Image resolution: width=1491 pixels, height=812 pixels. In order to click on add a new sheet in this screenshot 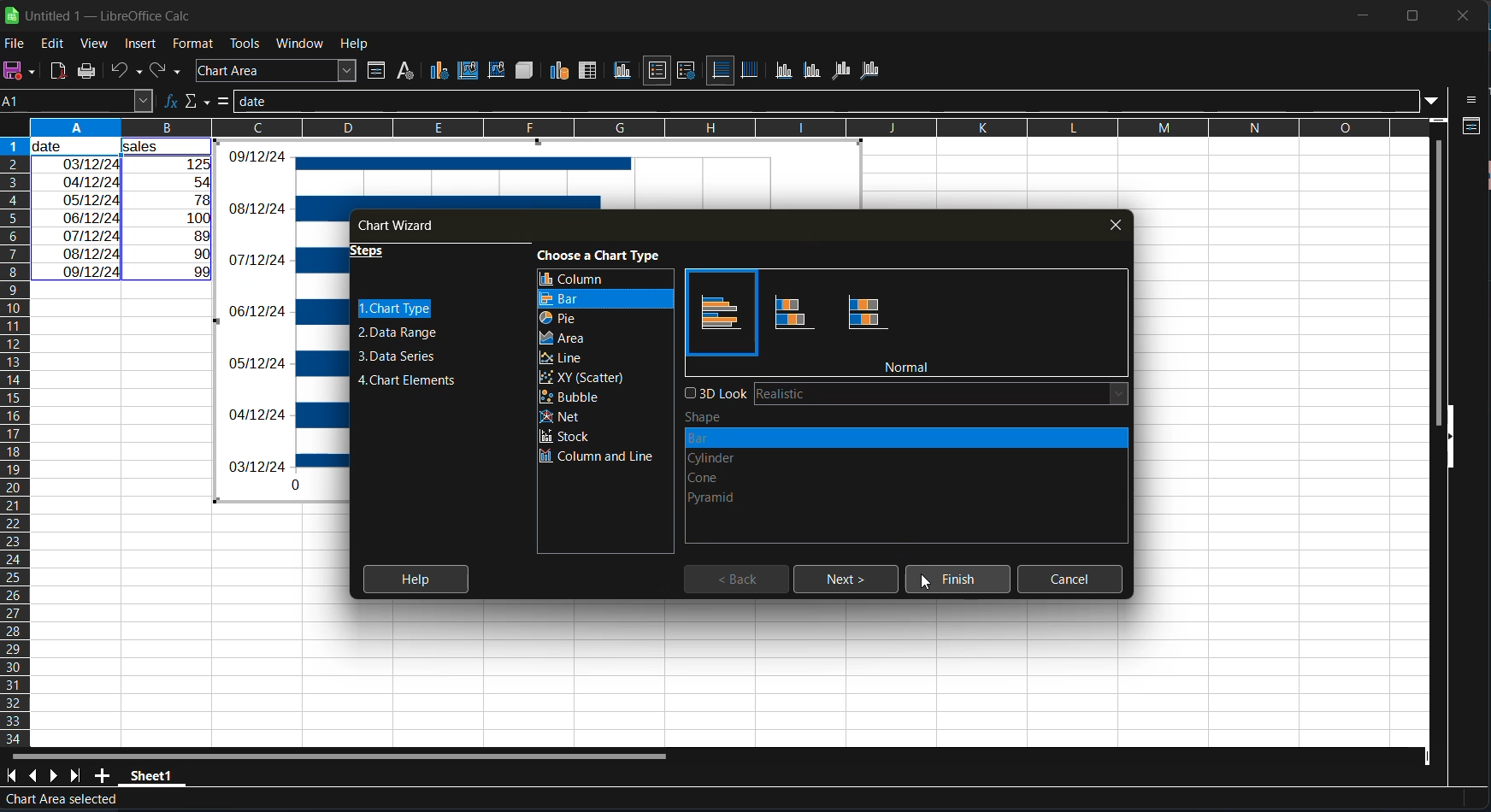, I will do `click(102, 775)`.